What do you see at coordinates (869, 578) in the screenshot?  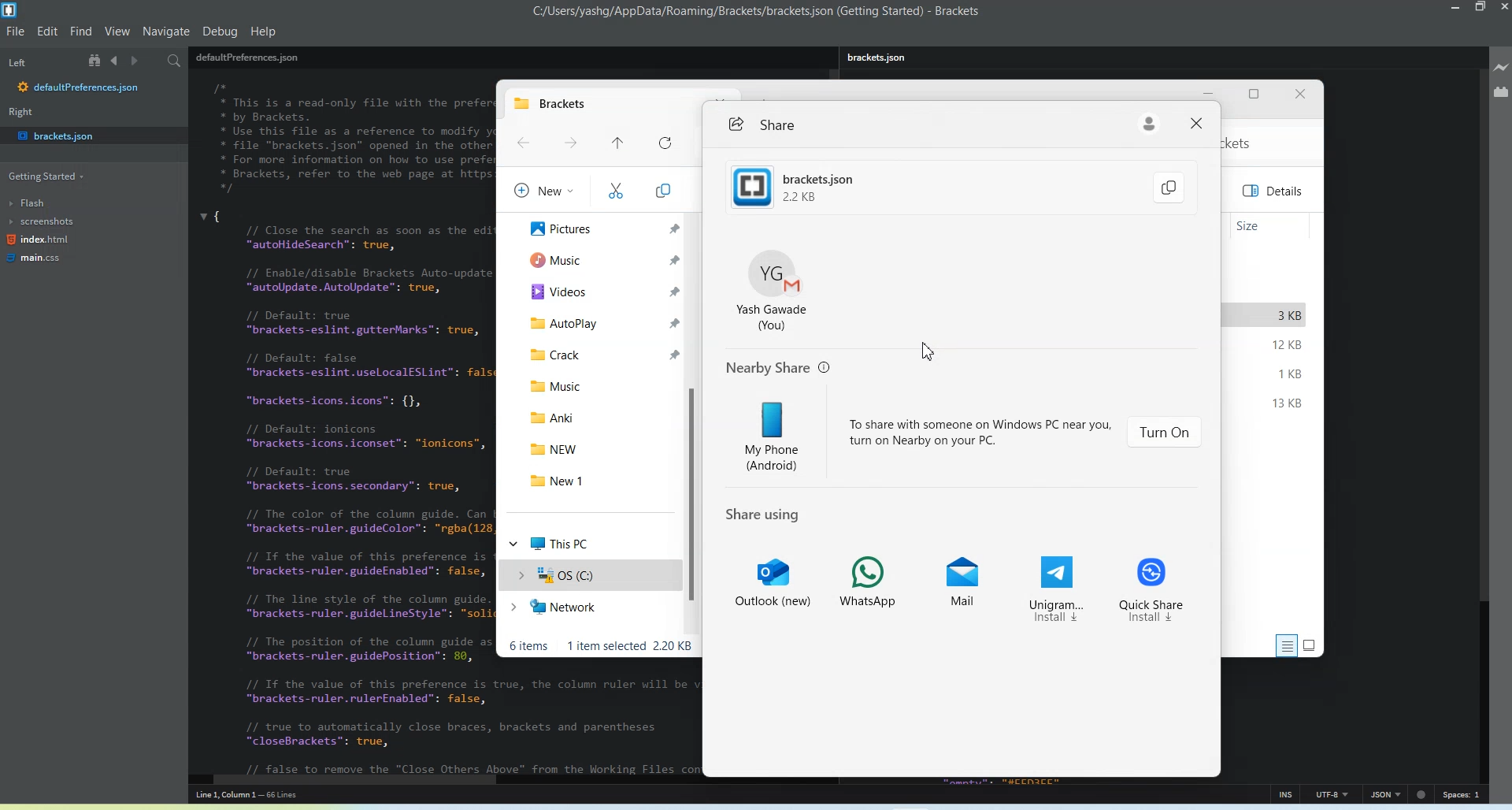 I see `Whatsapp` at bounding box center [869, 578].